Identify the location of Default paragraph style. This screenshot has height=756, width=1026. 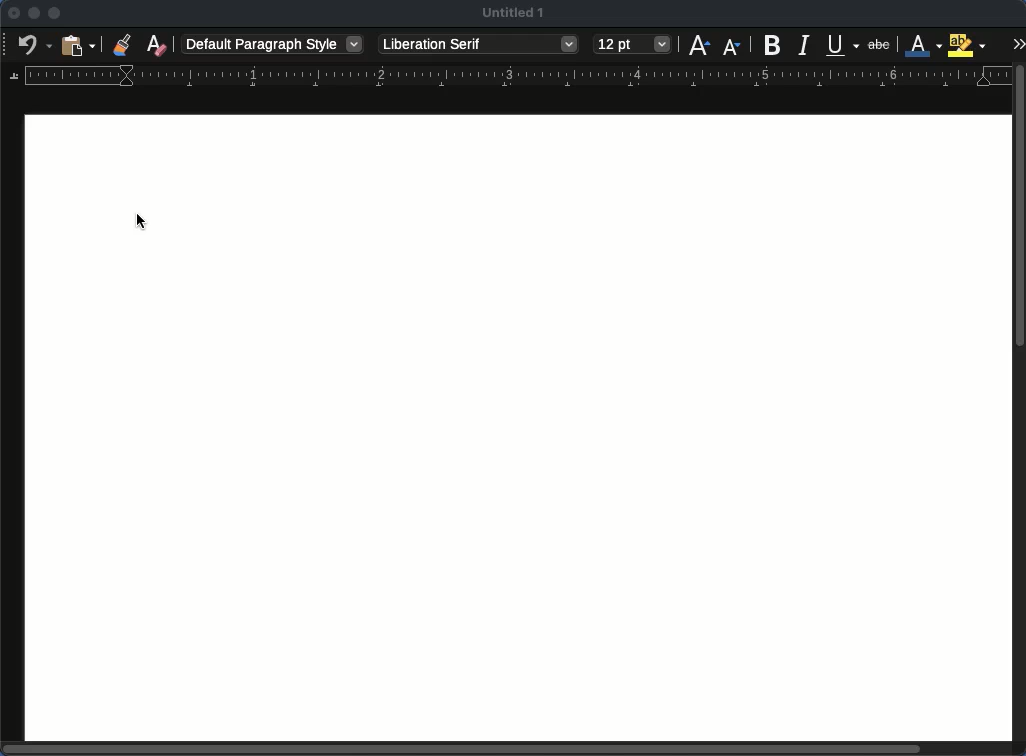
(272, 44).